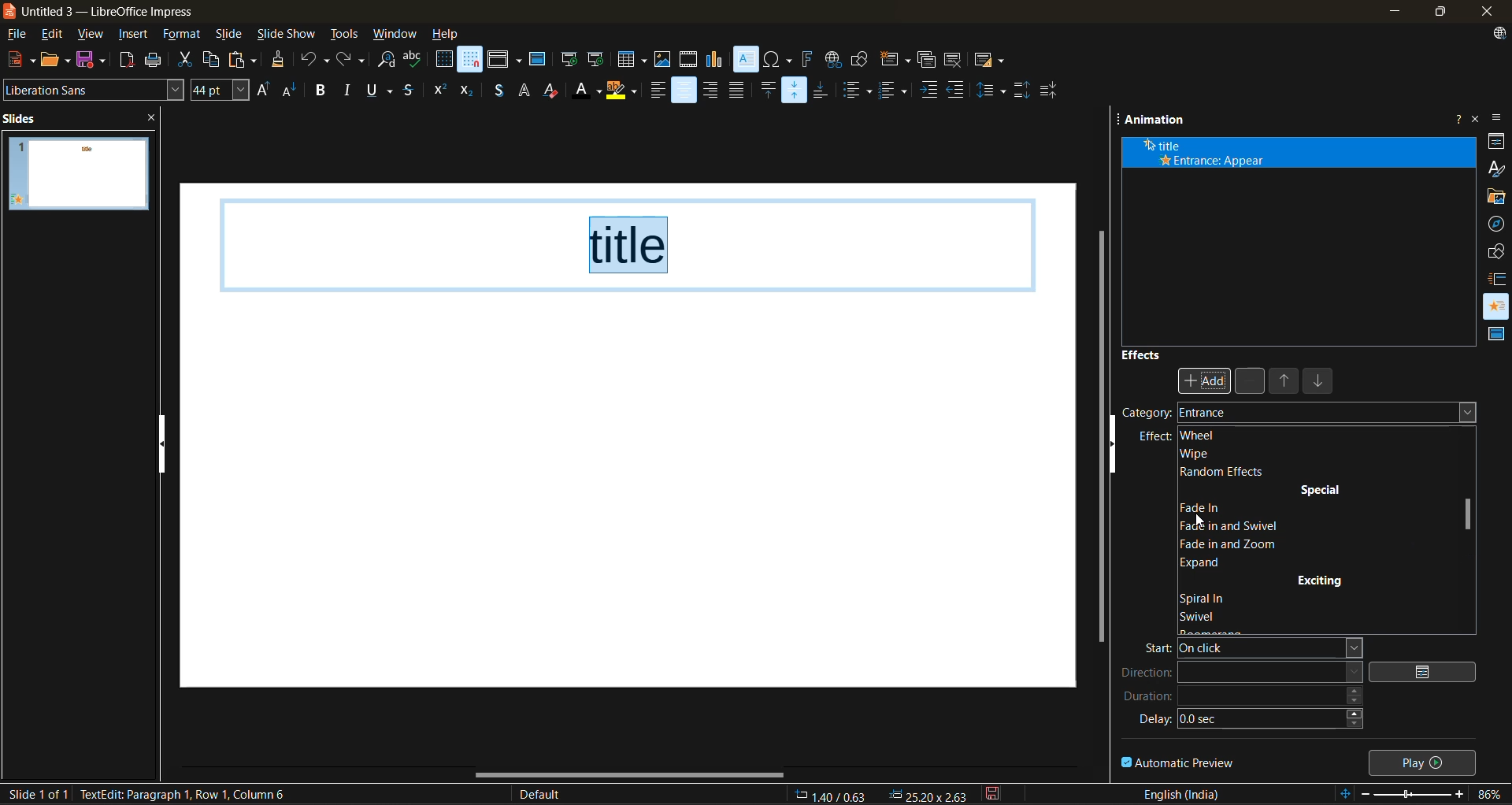 This screenshot has height=805, width=1512. What do you see at coordinates (1484, 12) in the screenshot?
I see `close` at bounding box center [1484, 12].